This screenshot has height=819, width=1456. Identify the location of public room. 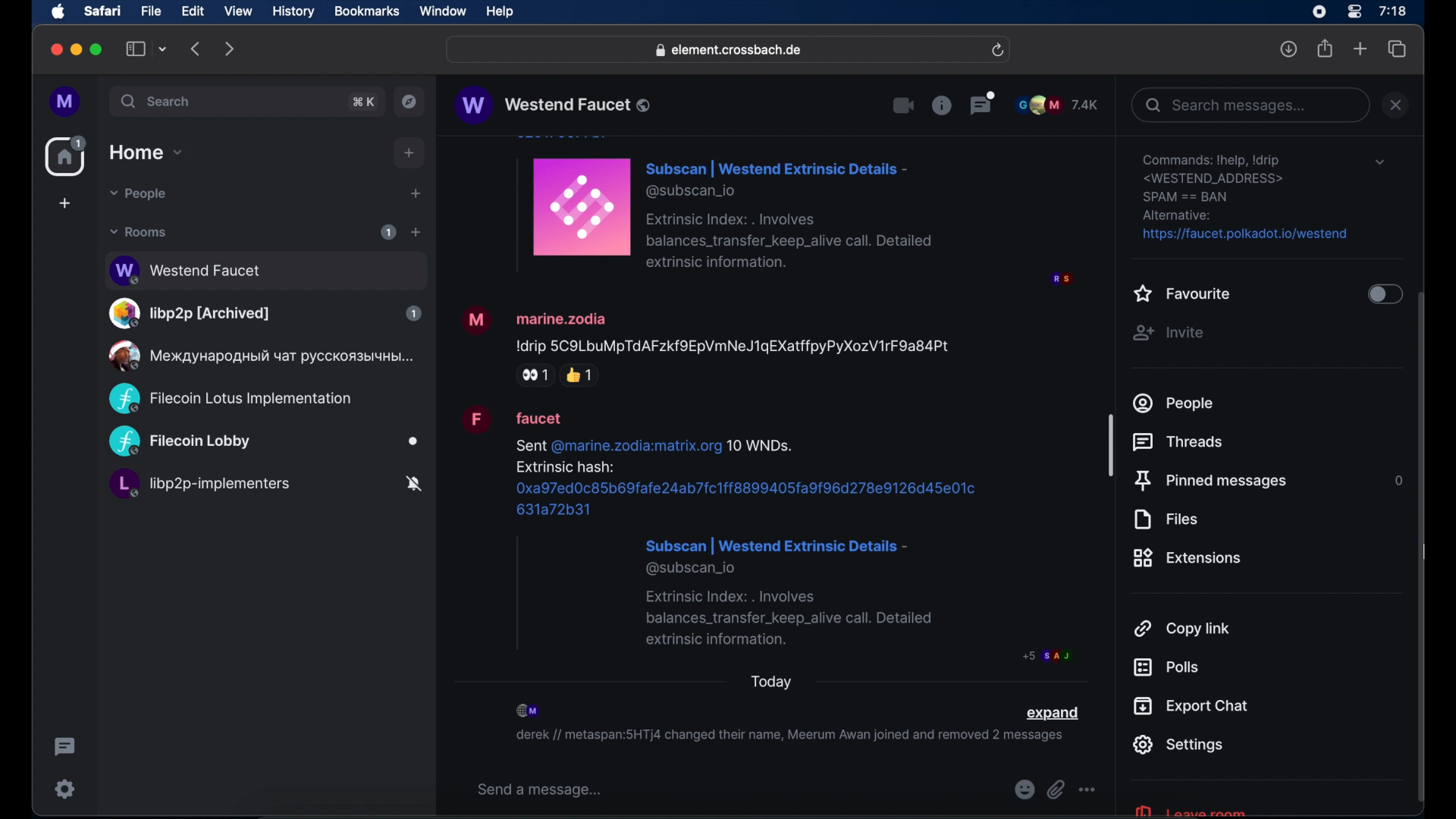
(259, 356).